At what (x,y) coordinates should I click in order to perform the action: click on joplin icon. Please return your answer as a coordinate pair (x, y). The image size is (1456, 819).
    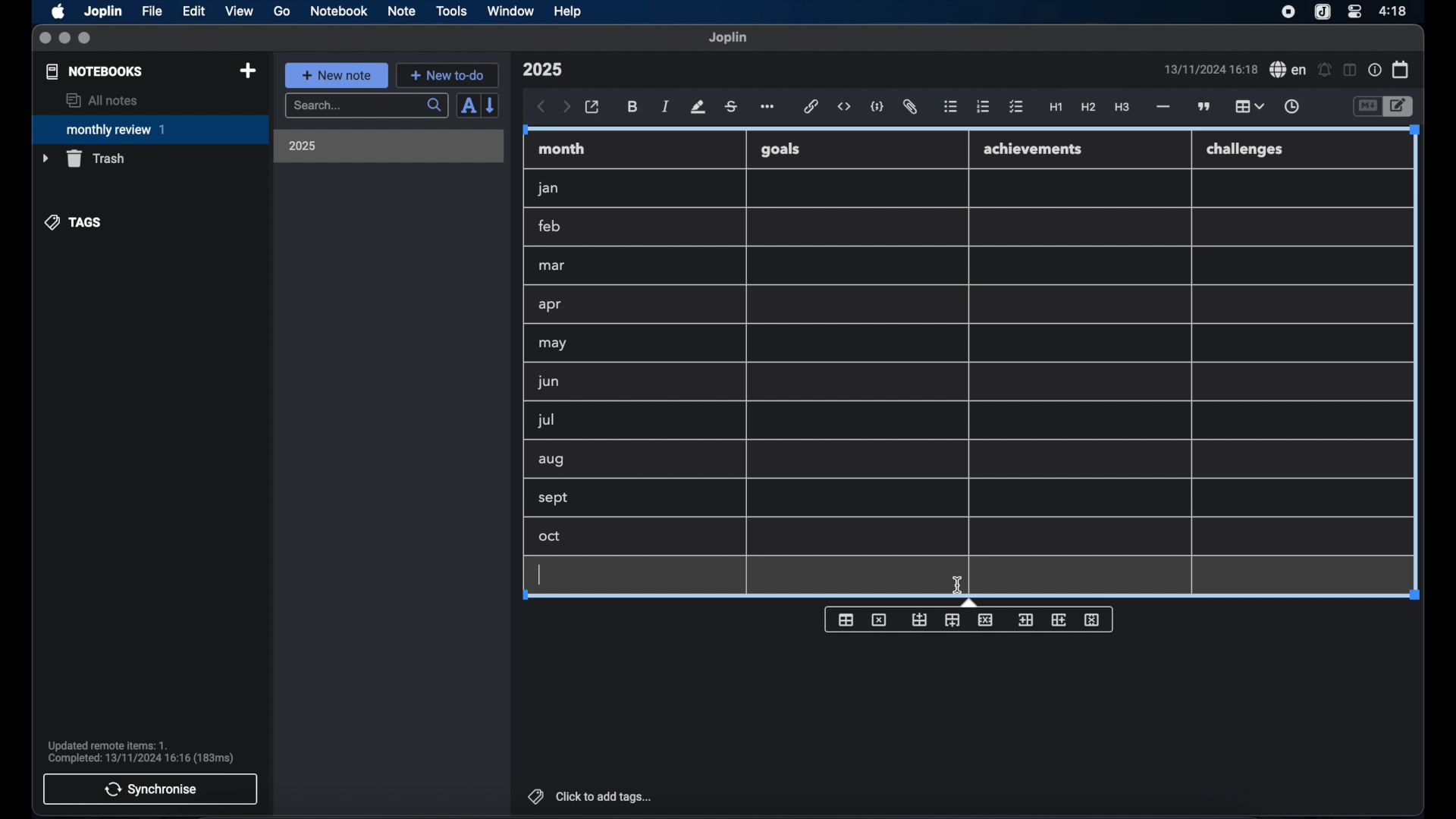
    Looking at the image, I should click on (1321, 13).